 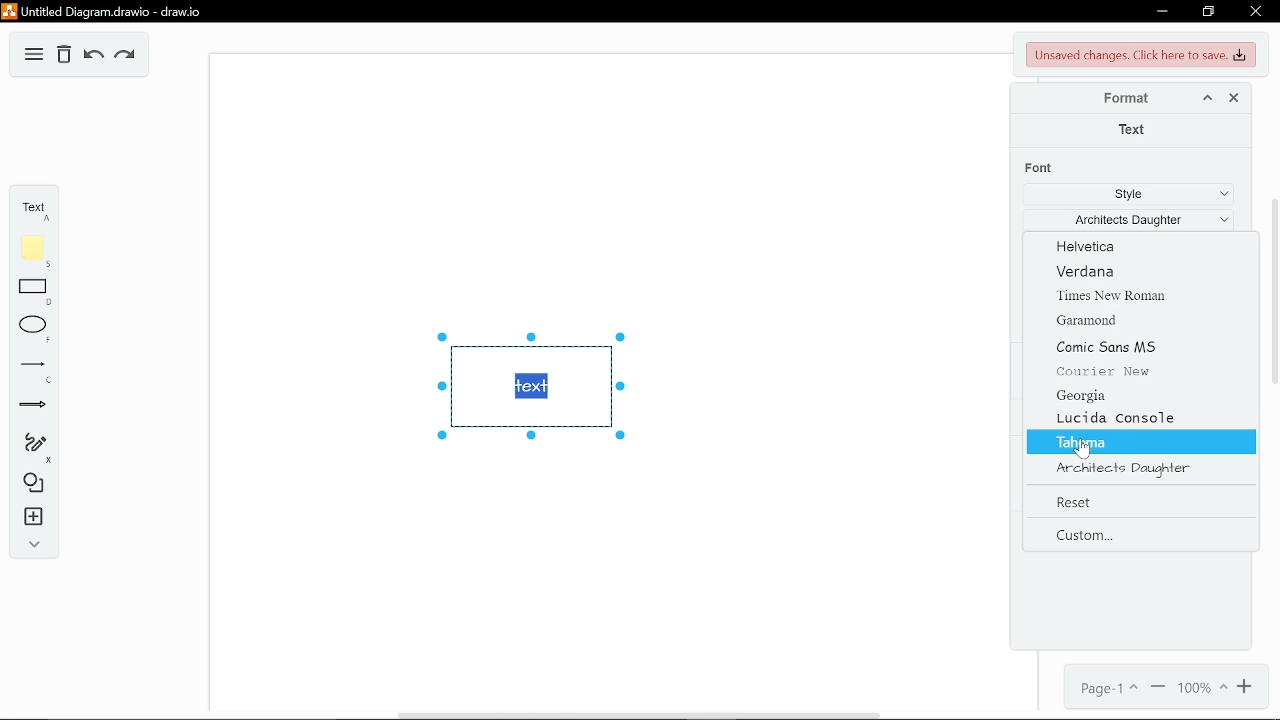 What do you see at coordinates (1134, 396) in the screenshot?
I see `georgia` at bounding box center [1134, 396].